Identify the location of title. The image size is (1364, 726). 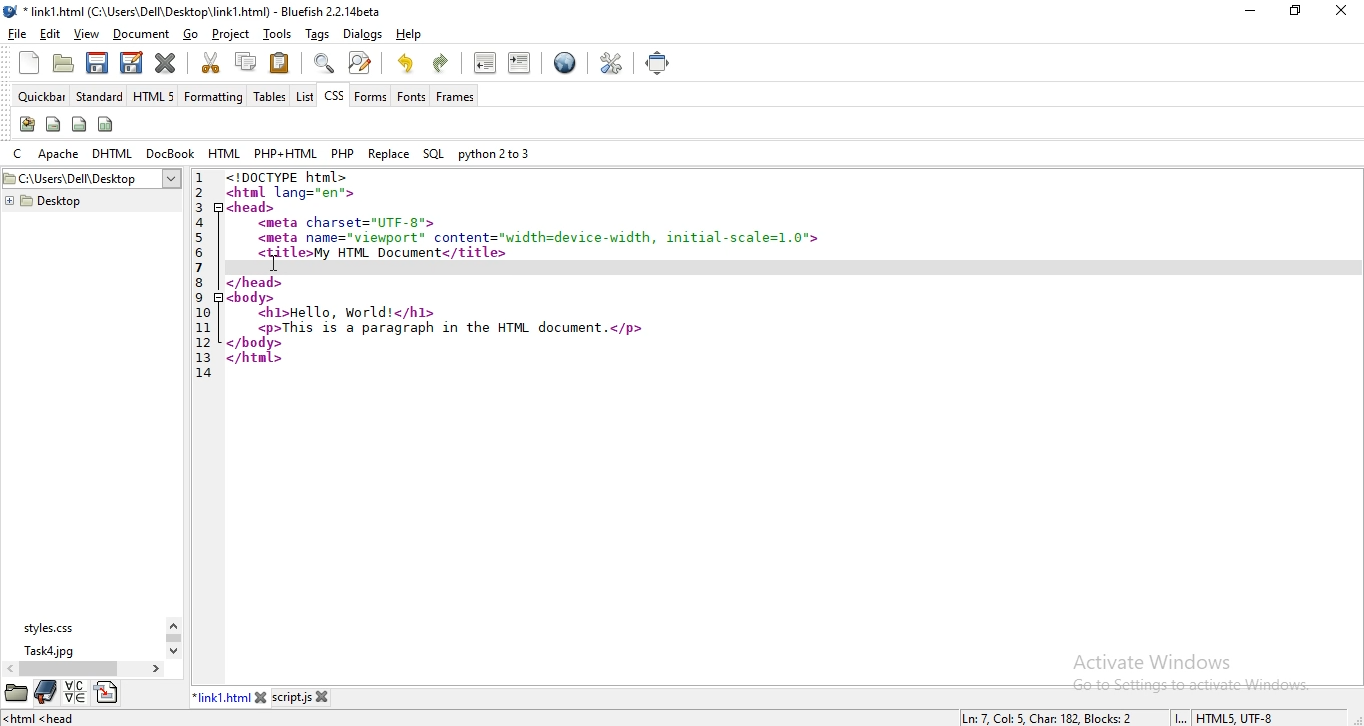
(202, 11).